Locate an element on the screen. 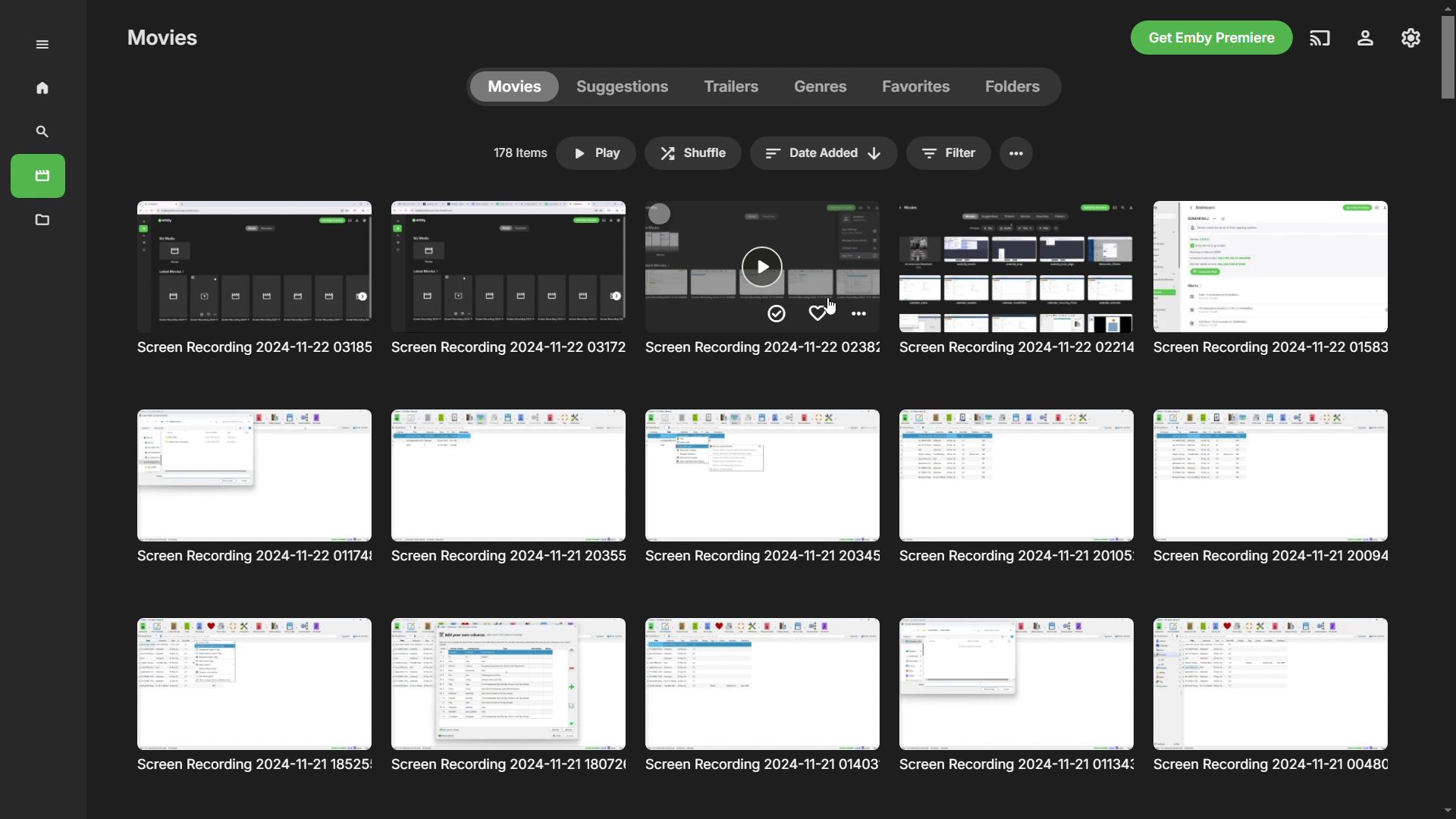 The image size is (1456, 819).  is located at coordinates (767, 695).